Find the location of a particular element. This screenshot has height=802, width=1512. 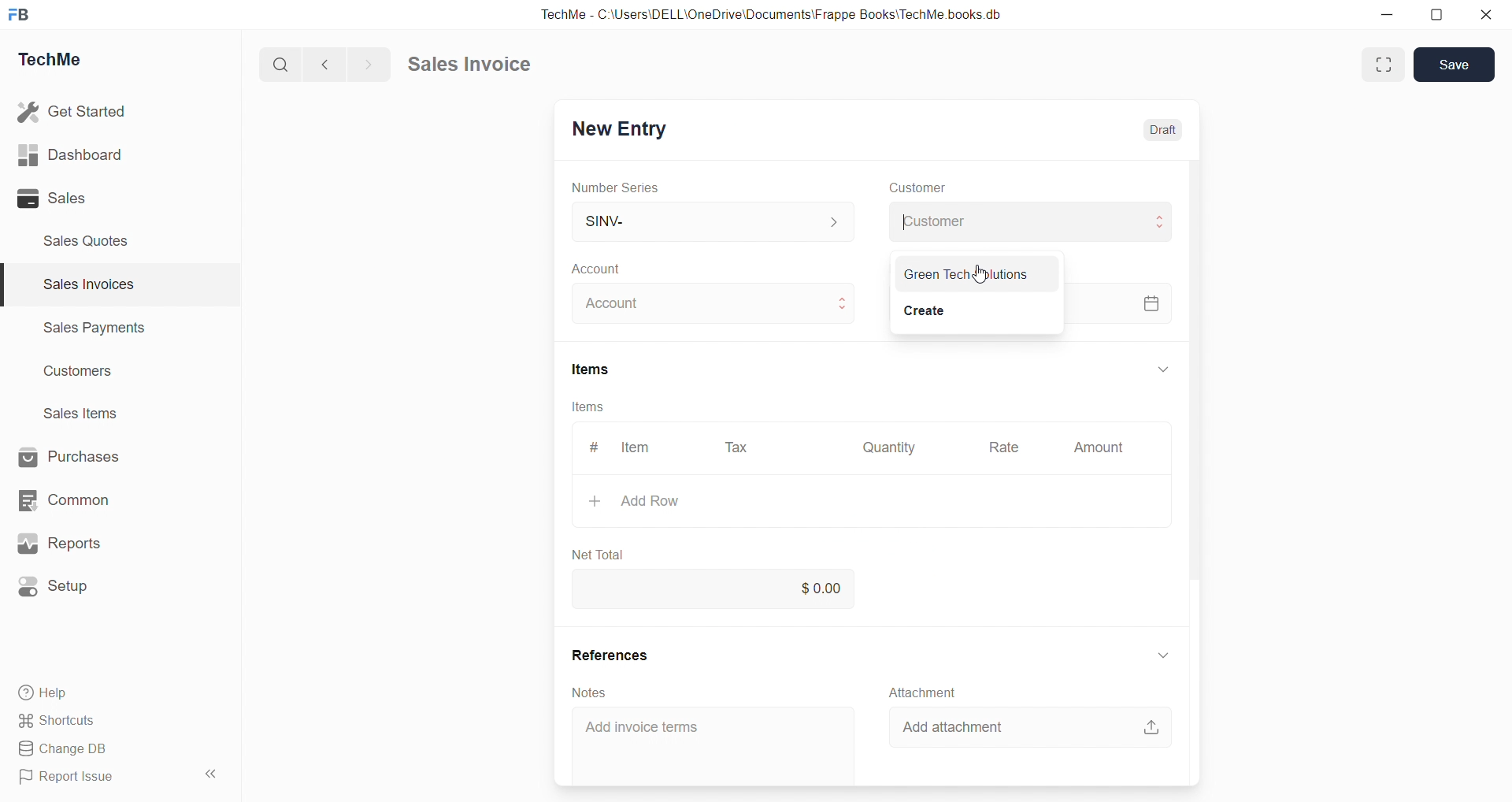

Sales invoices is located at coordinates (87, 284).